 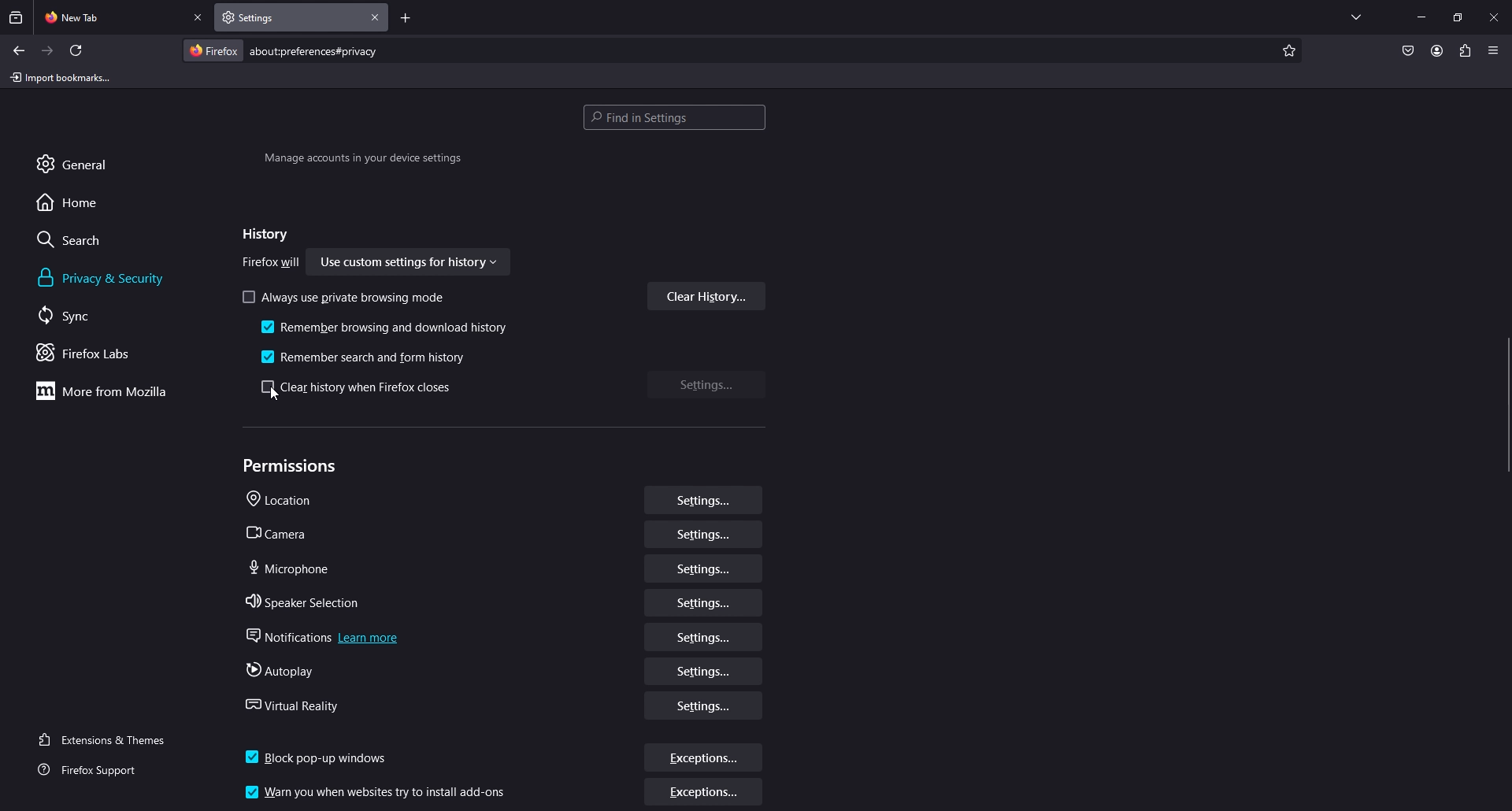 What do you see at coordinates (1458, 17) in the screenshot?
I see `resize` at bounding box center [1458, 17].